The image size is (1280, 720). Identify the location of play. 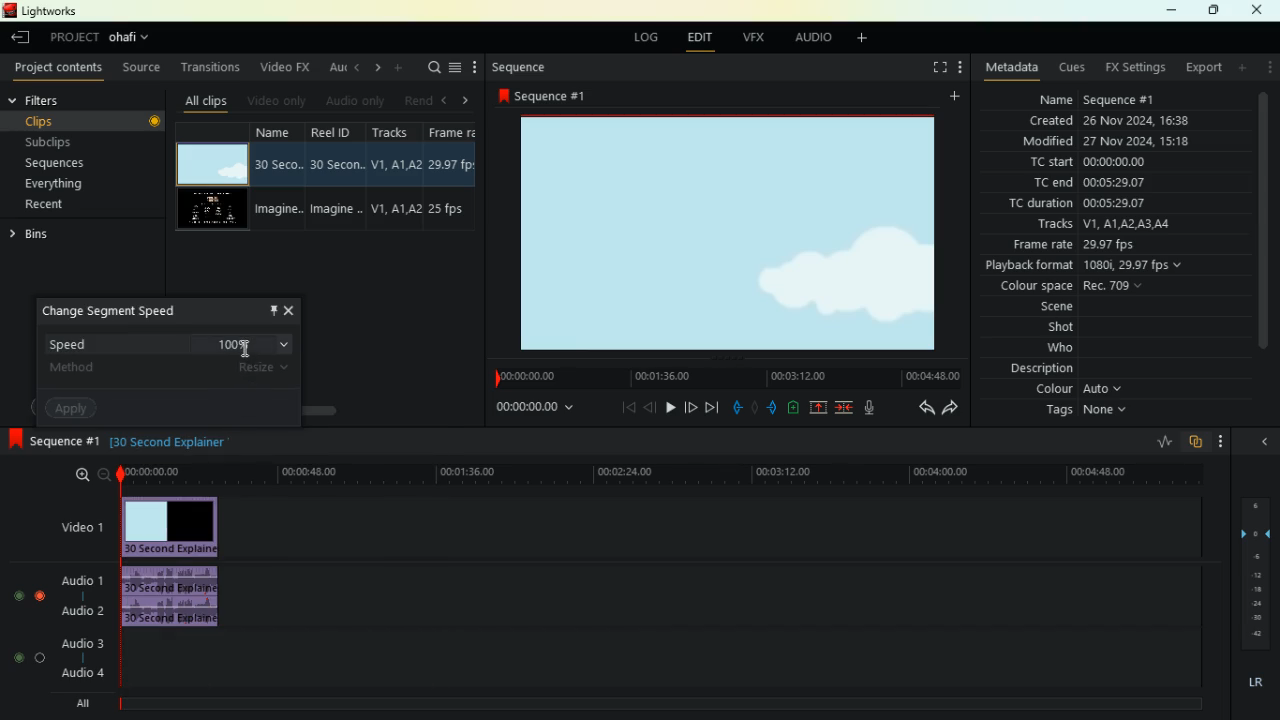
(670, 406).